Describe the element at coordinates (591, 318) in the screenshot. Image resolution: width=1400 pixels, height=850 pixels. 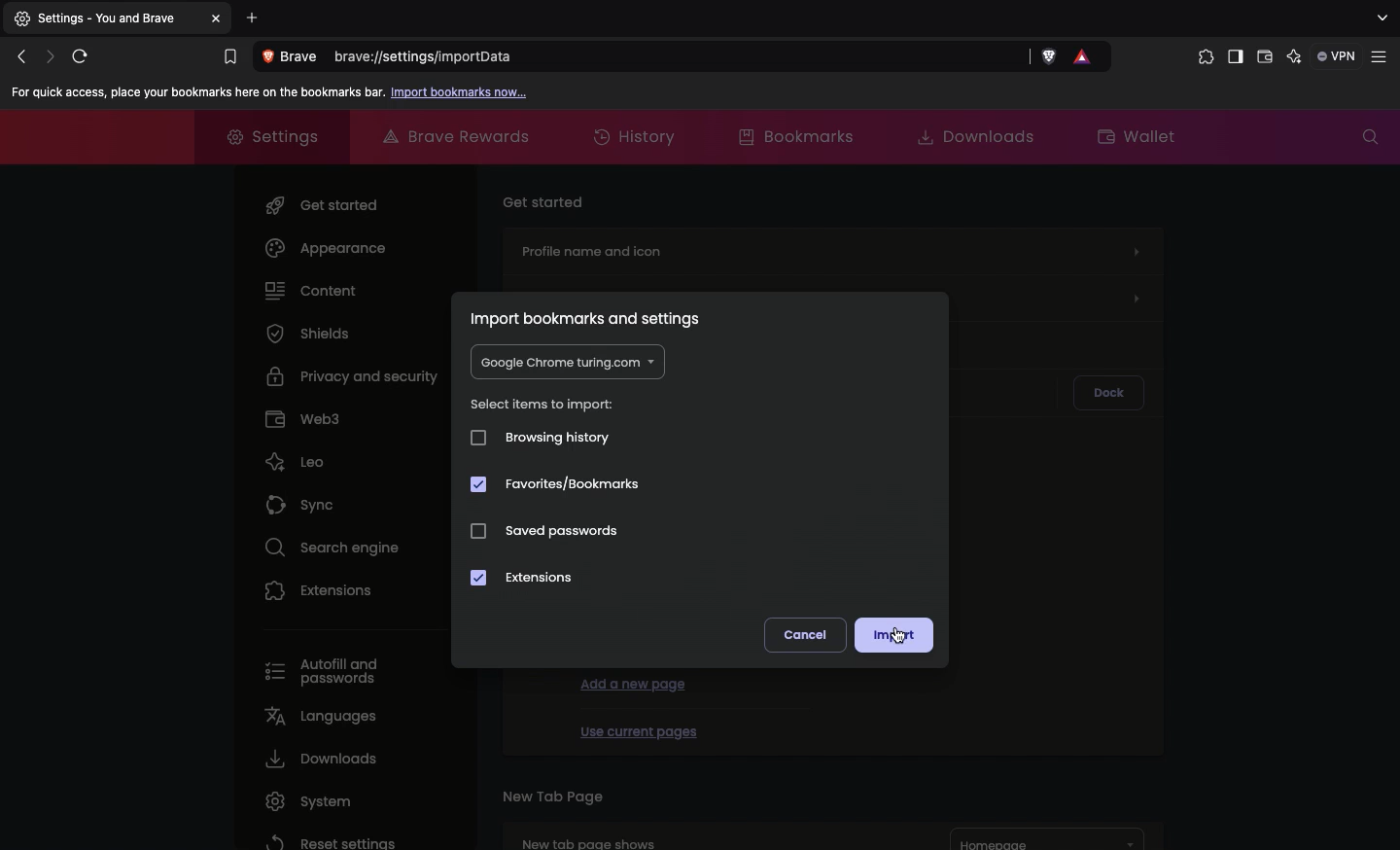
I see `Import bookmarks and settings` at that location.